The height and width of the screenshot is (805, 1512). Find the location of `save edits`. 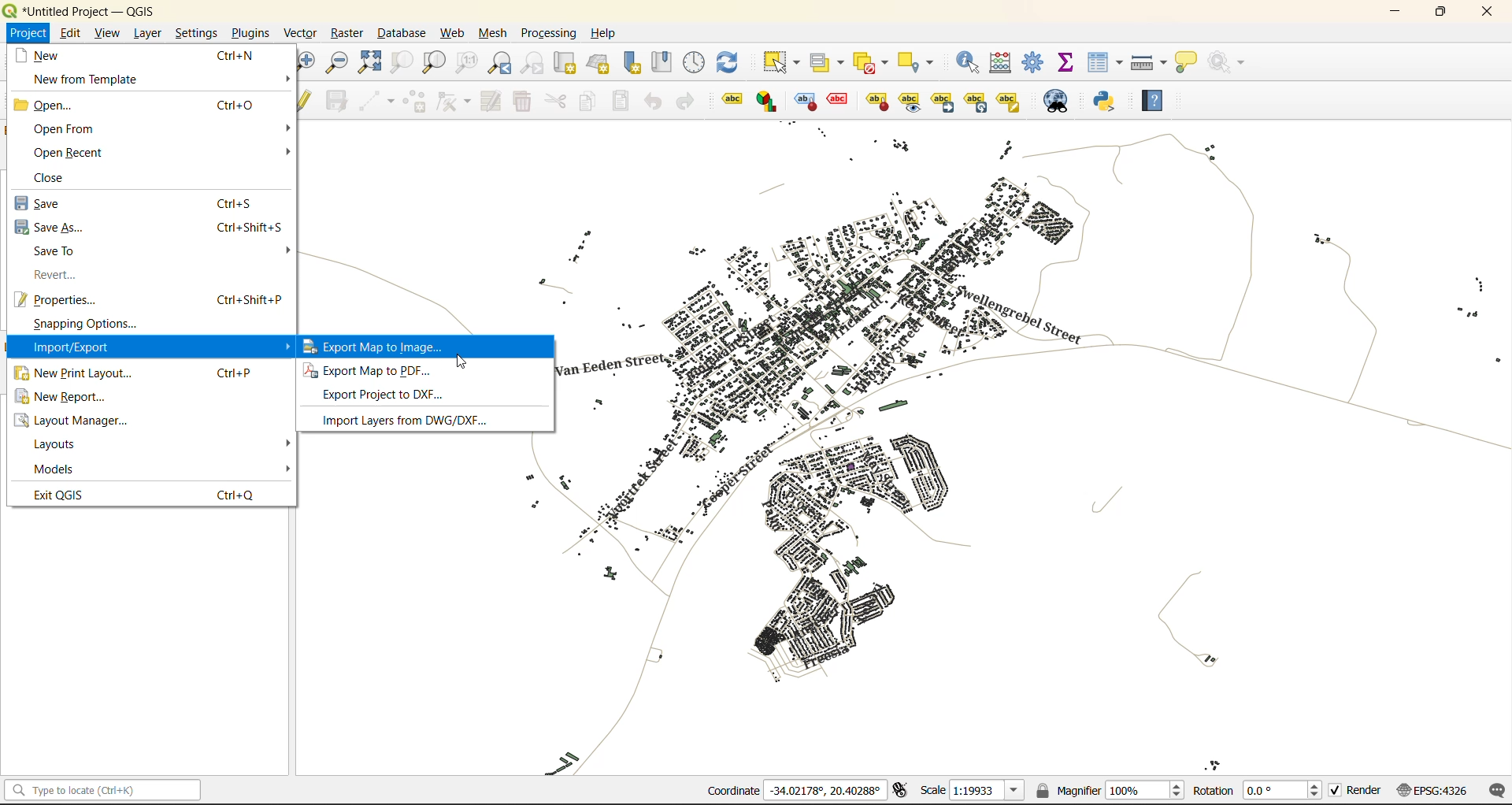

save edits is located at coordinates (335, 101).